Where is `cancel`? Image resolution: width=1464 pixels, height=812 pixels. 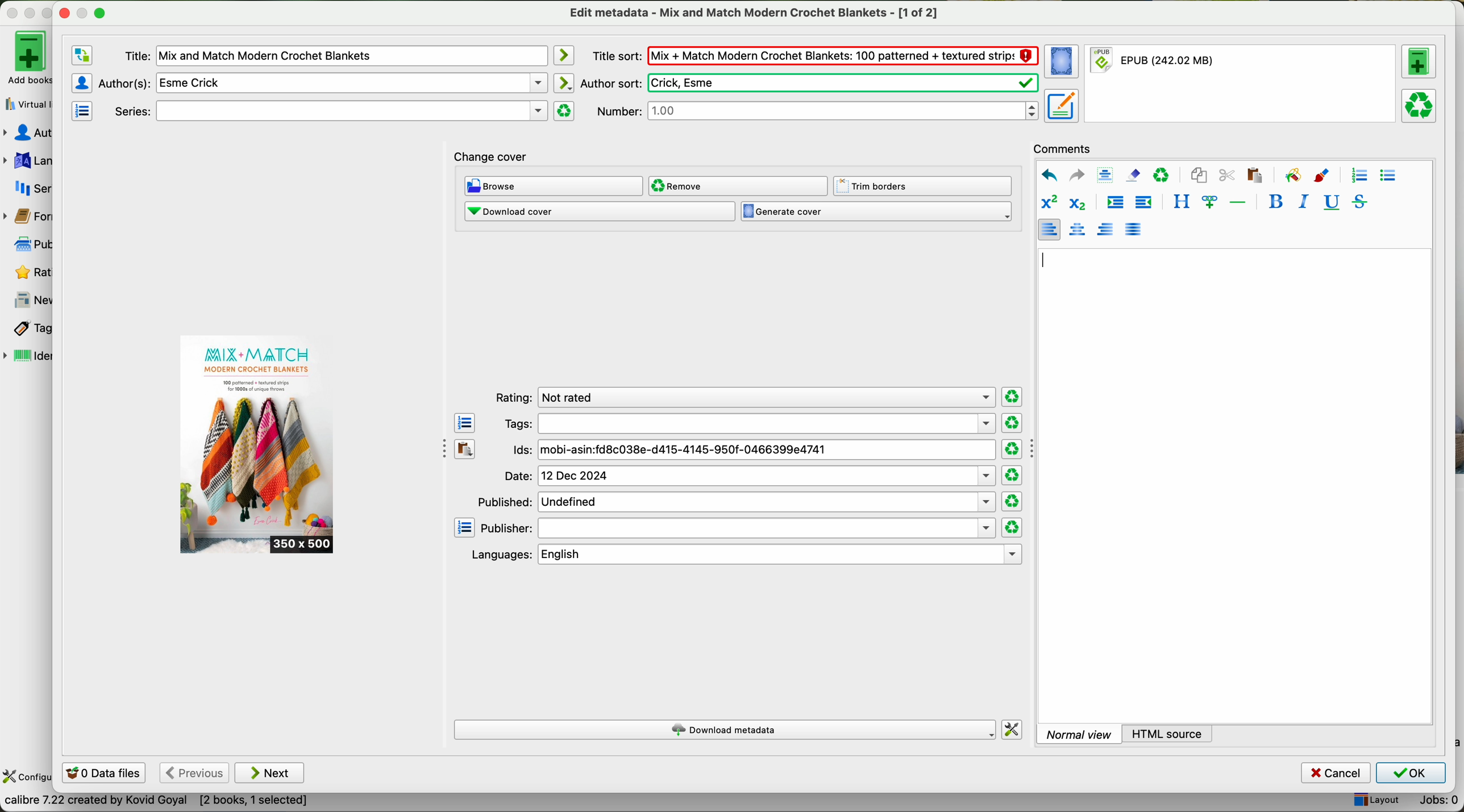
cancel is located at coordinates (1337, 773).